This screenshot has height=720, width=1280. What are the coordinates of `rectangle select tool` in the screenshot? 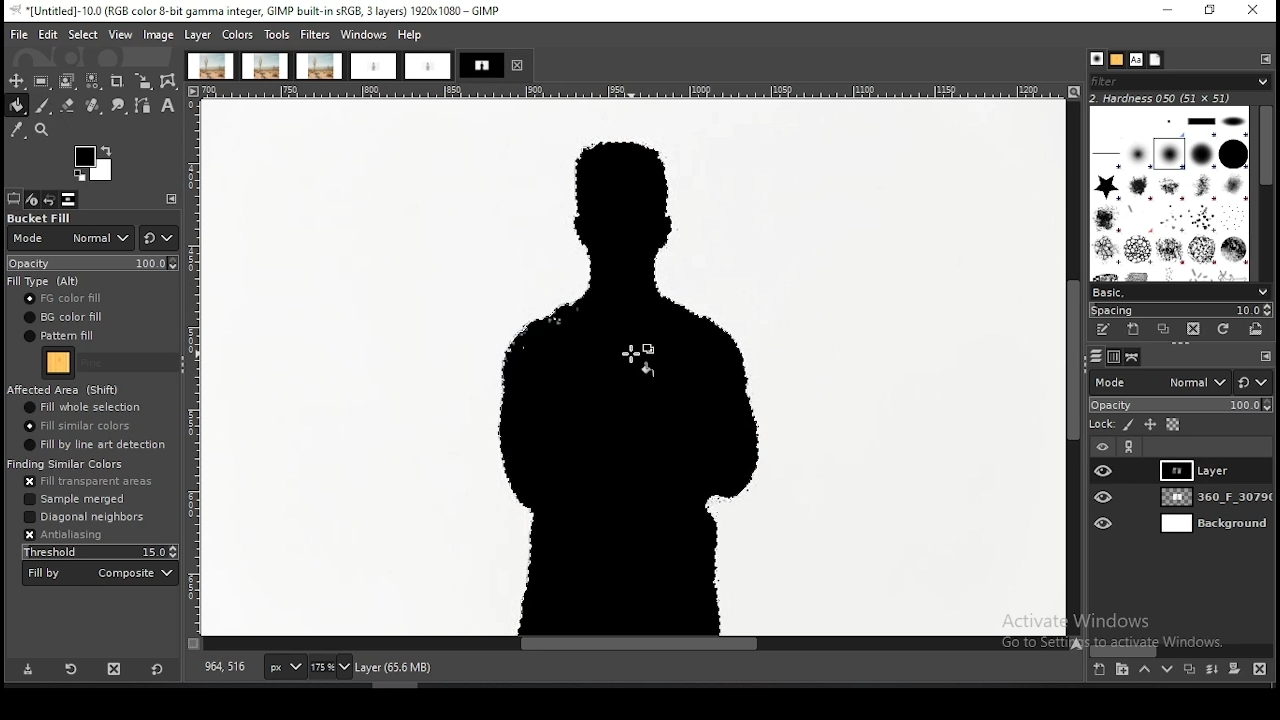 It's located at (41, 81).